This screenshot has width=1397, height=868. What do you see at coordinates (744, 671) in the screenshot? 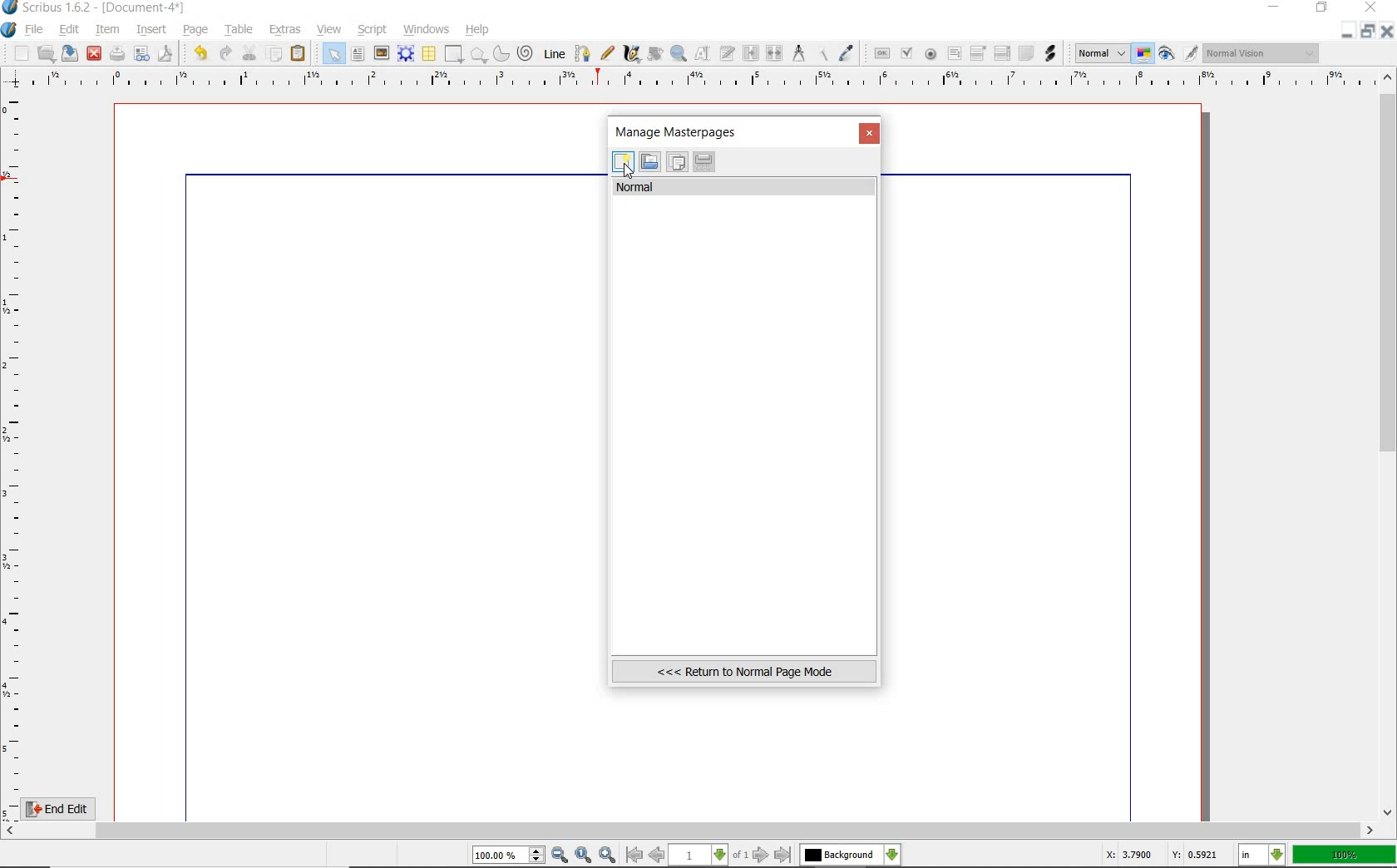
I see `Return to normal page mode` at bounding box center [744, 671].